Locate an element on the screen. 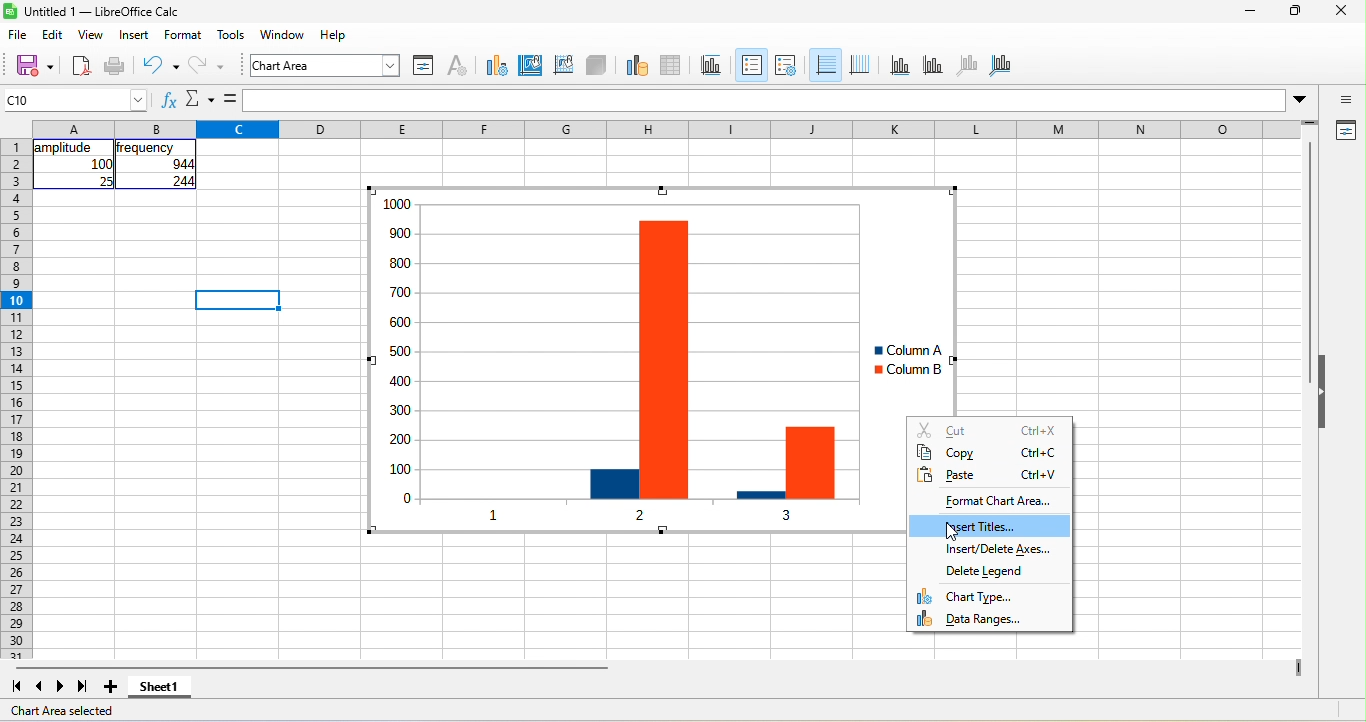 The height and width of the screenshot is (722, 1366). data range is located at coordinates (637, 66).